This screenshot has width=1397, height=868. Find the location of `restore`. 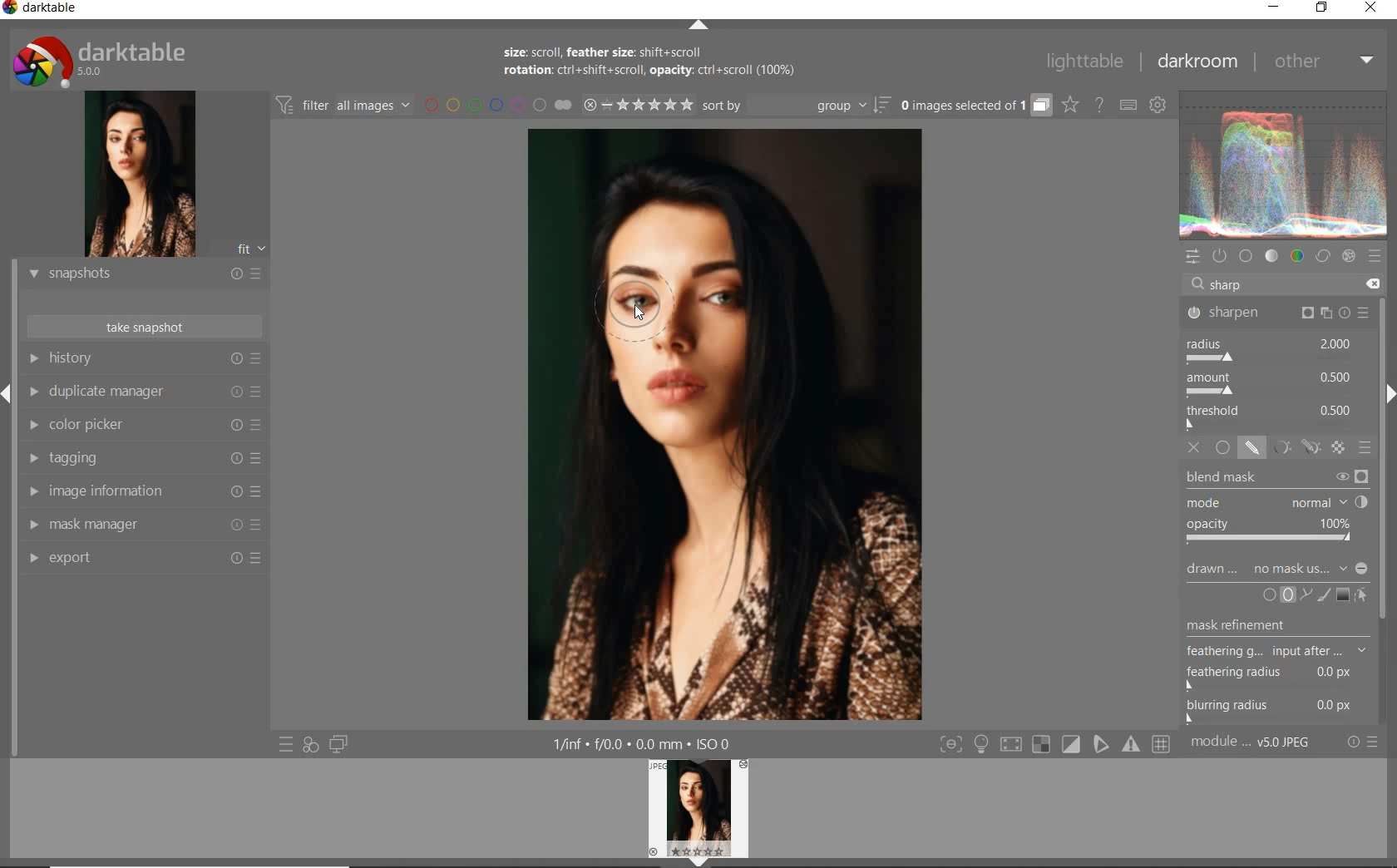

restore is located at coordinates (1323, 10).